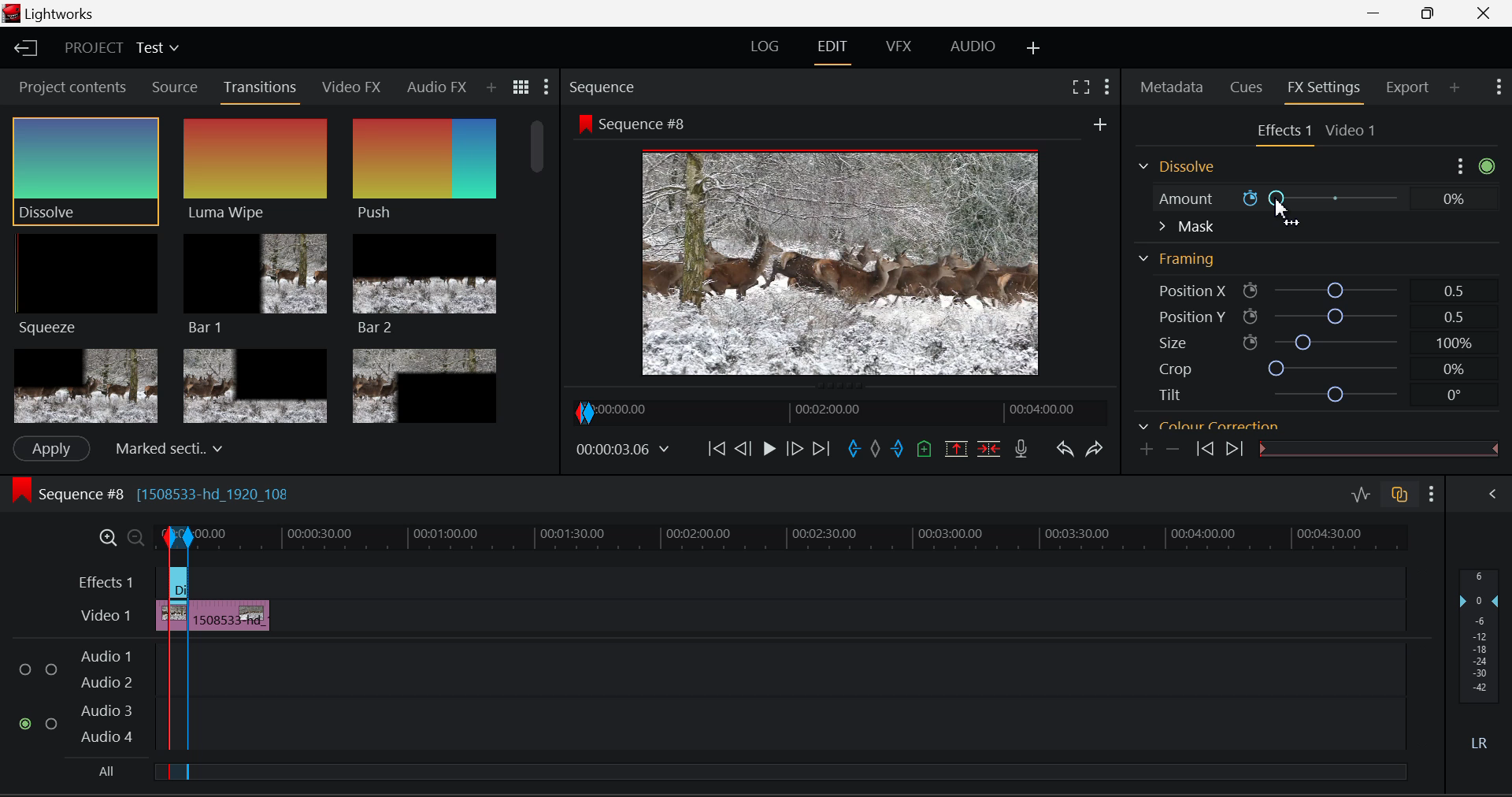 This screenshot has height=797, width=1512. I want to click on Position X, so click(1309, 288).